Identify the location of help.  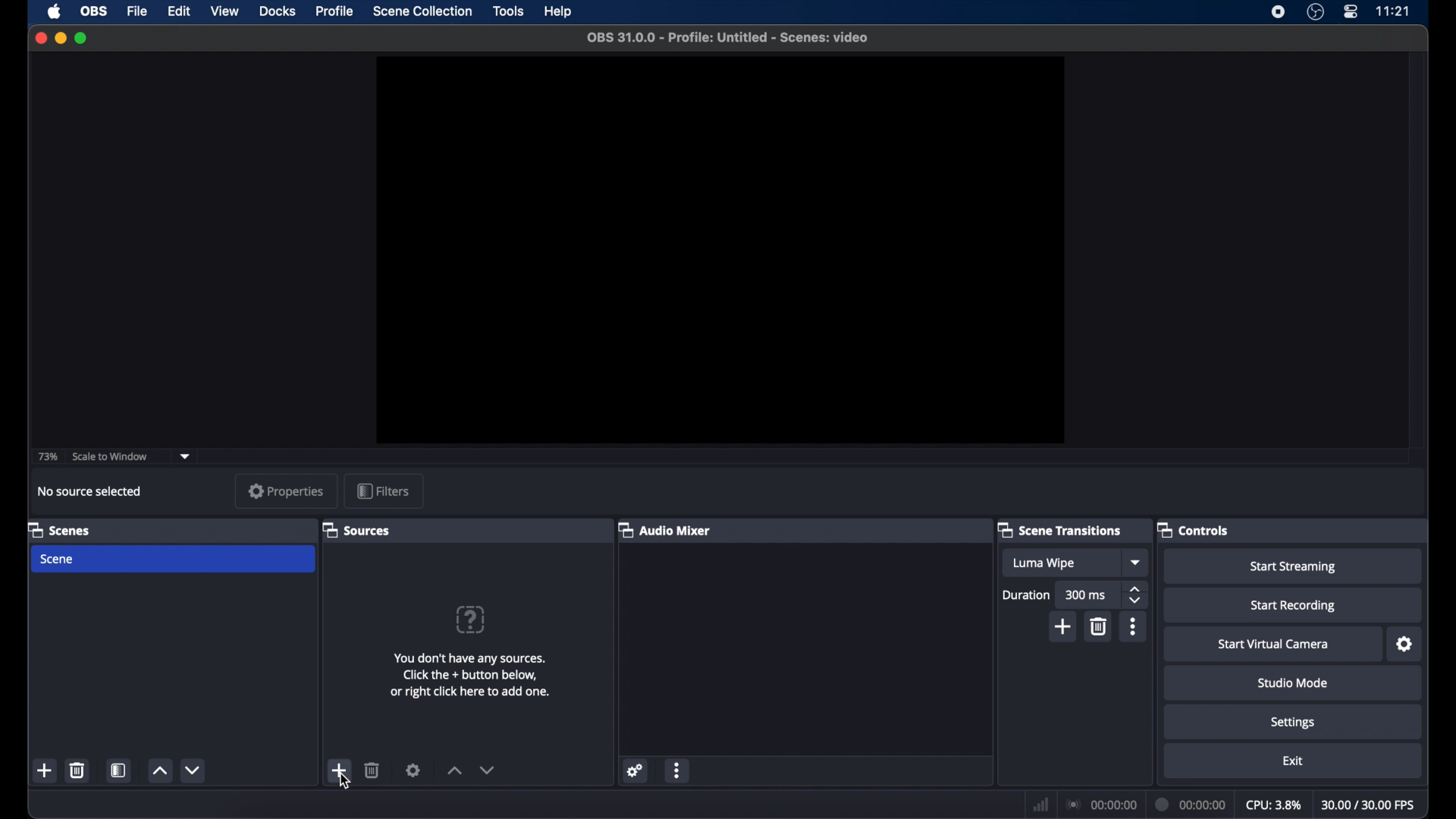
(560, 11).